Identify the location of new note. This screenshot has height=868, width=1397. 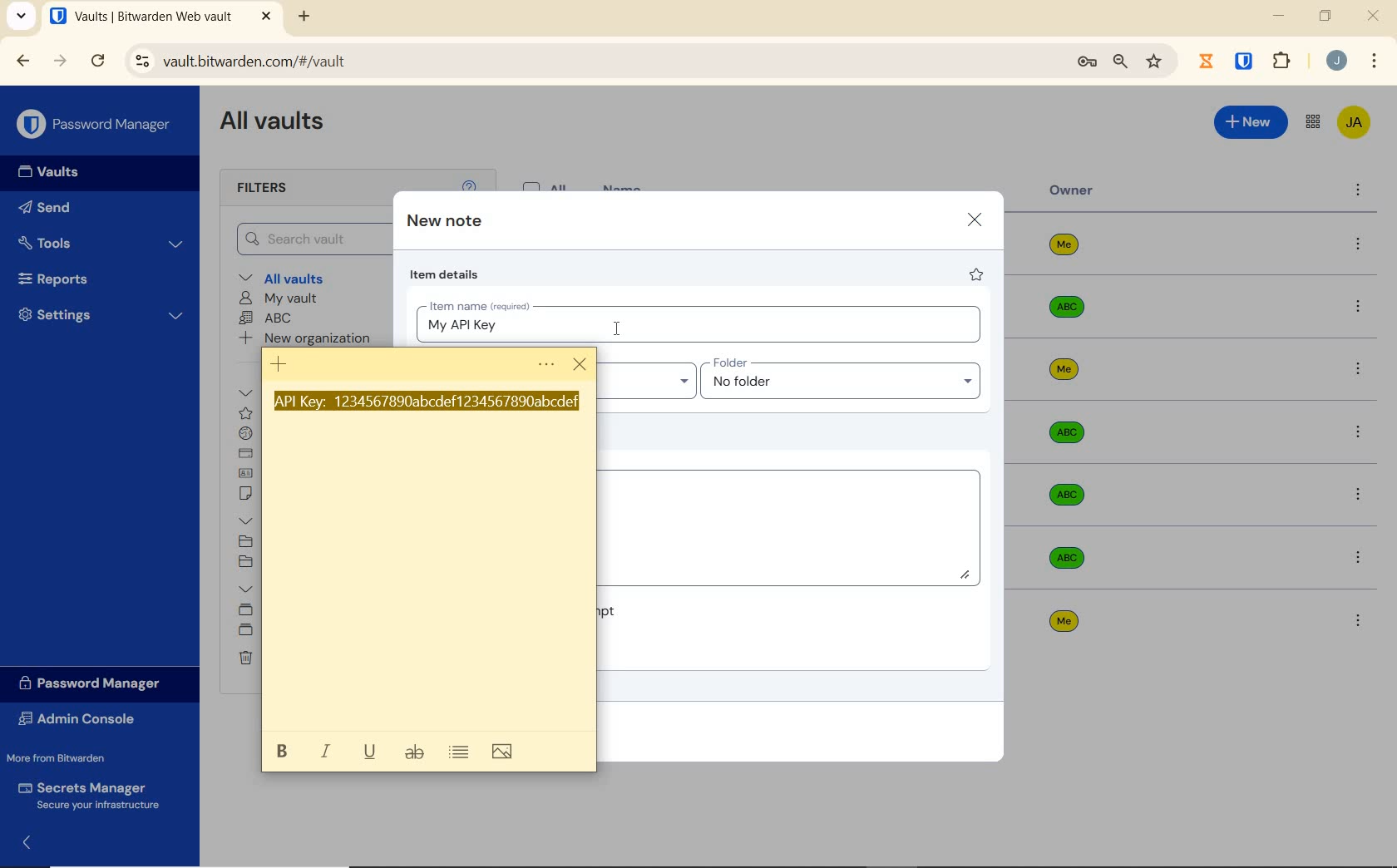
(444, 222).